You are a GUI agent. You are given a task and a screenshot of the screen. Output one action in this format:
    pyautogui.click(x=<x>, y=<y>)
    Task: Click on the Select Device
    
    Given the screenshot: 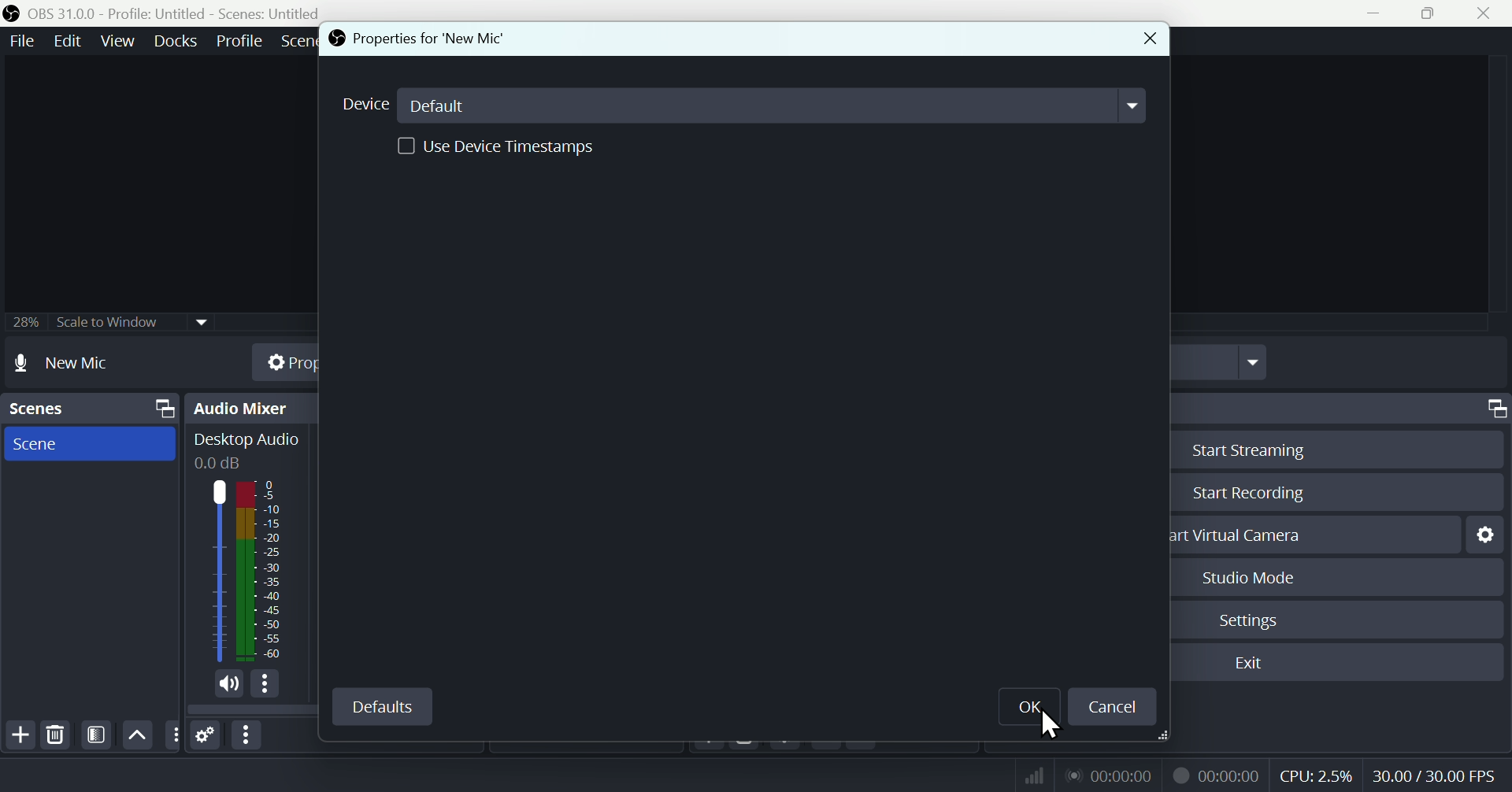 What is the action you would take?
    pyautogui.click(x=739, y=105)
    